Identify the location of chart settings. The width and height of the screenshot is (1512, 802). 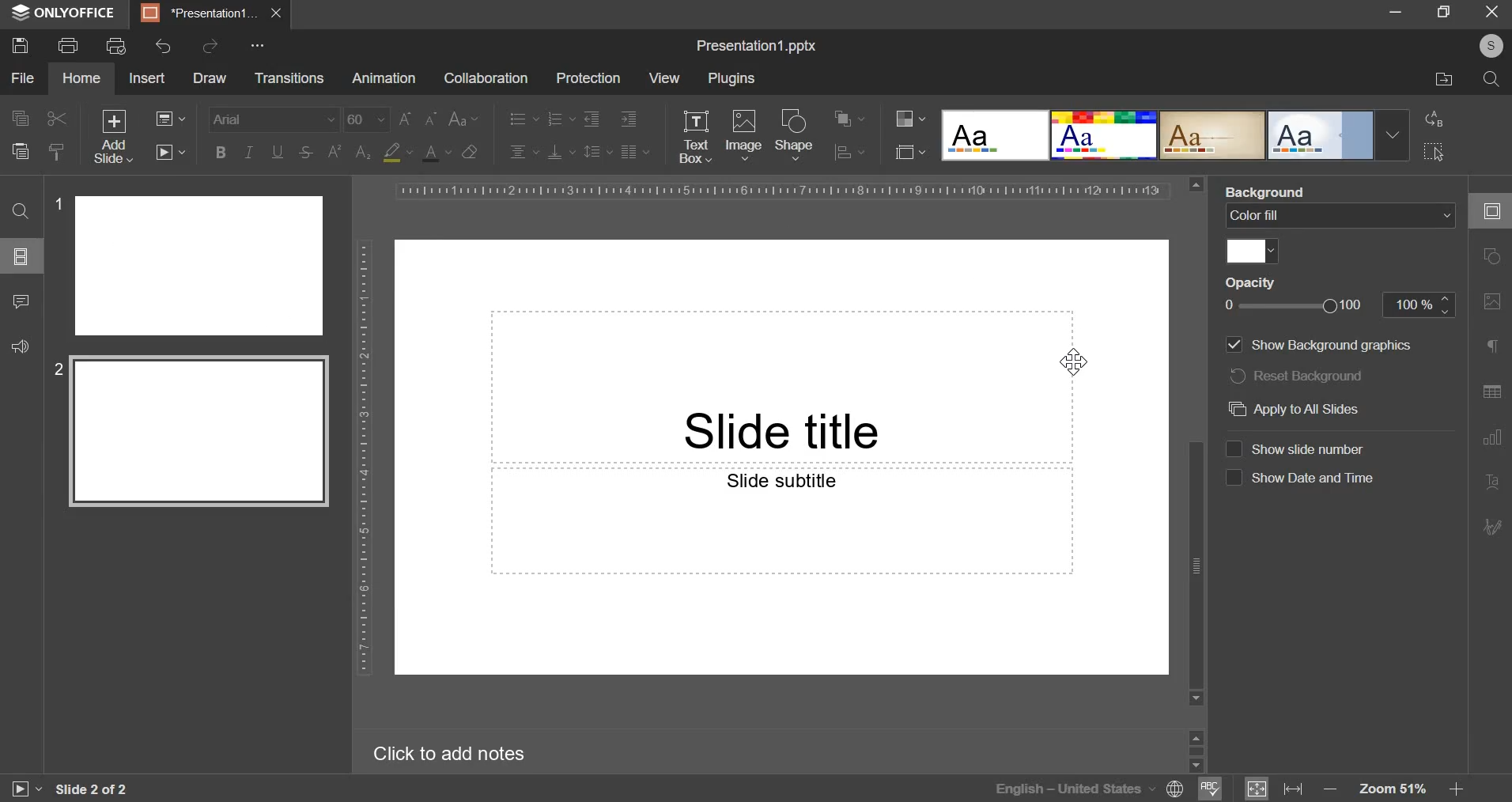
(1492, 437).